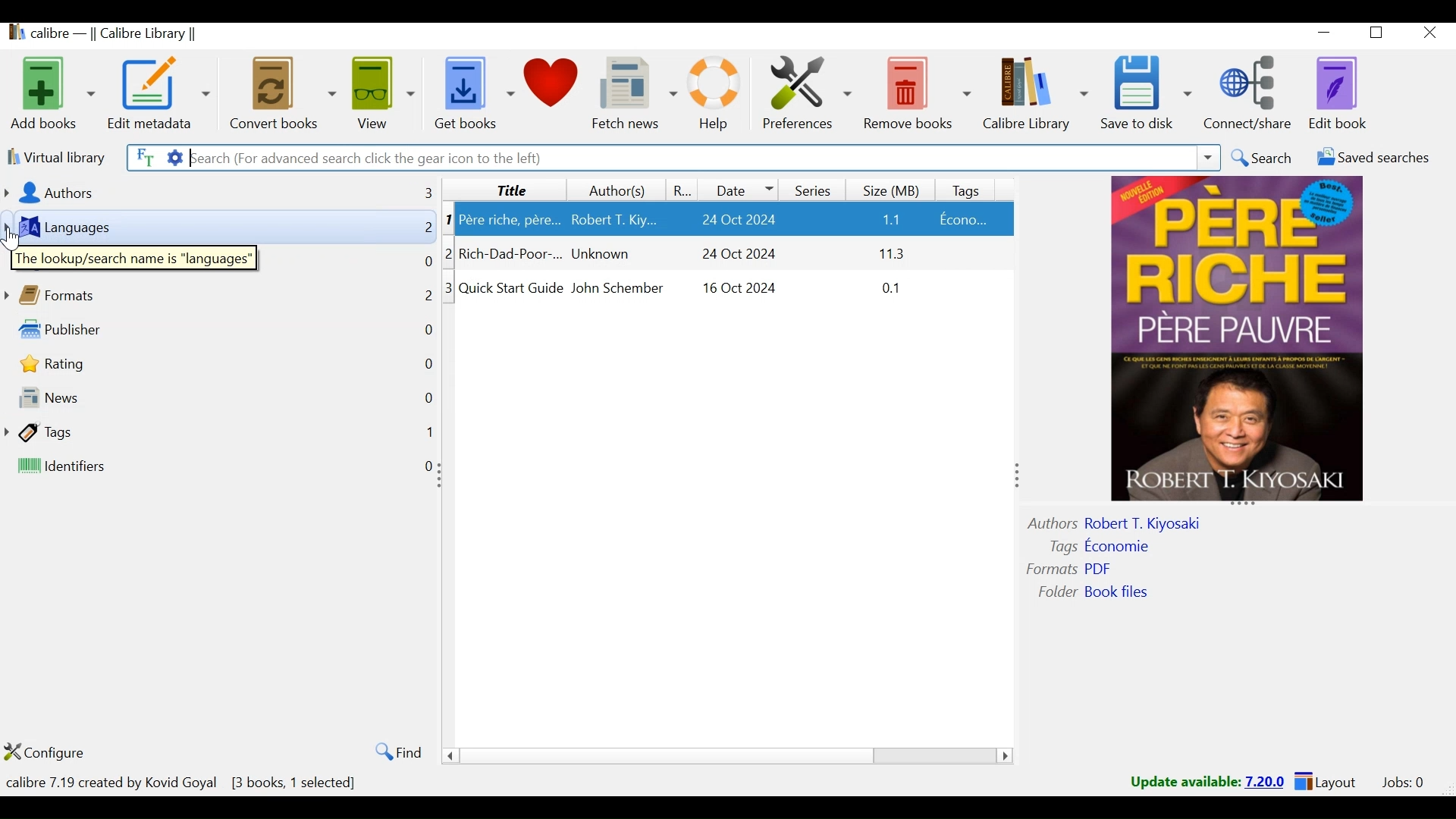  I want to click on Advanced Search, so click(171, 158).